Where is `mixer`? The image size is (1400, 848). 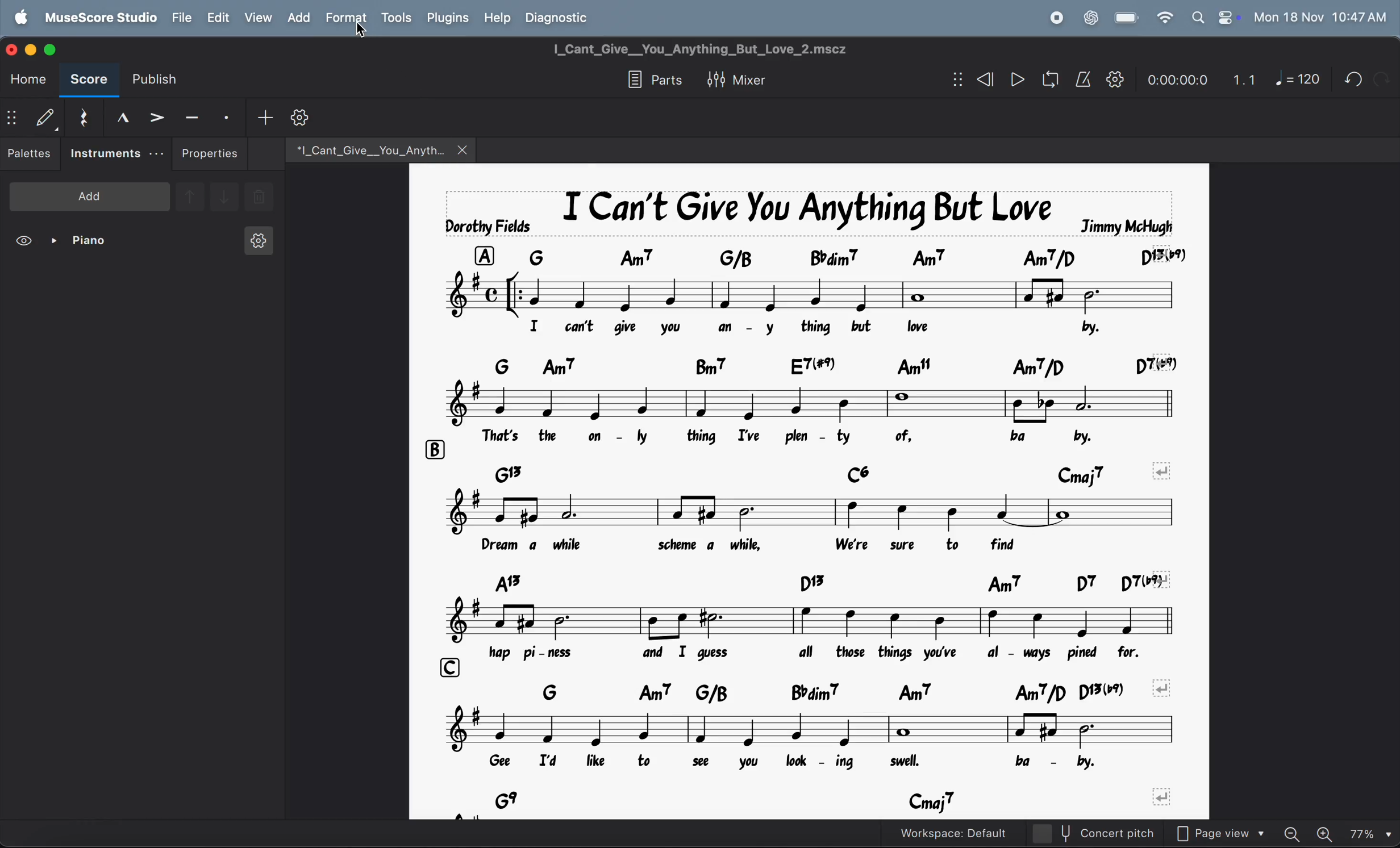
mixer is located at coordinates (745, 78).